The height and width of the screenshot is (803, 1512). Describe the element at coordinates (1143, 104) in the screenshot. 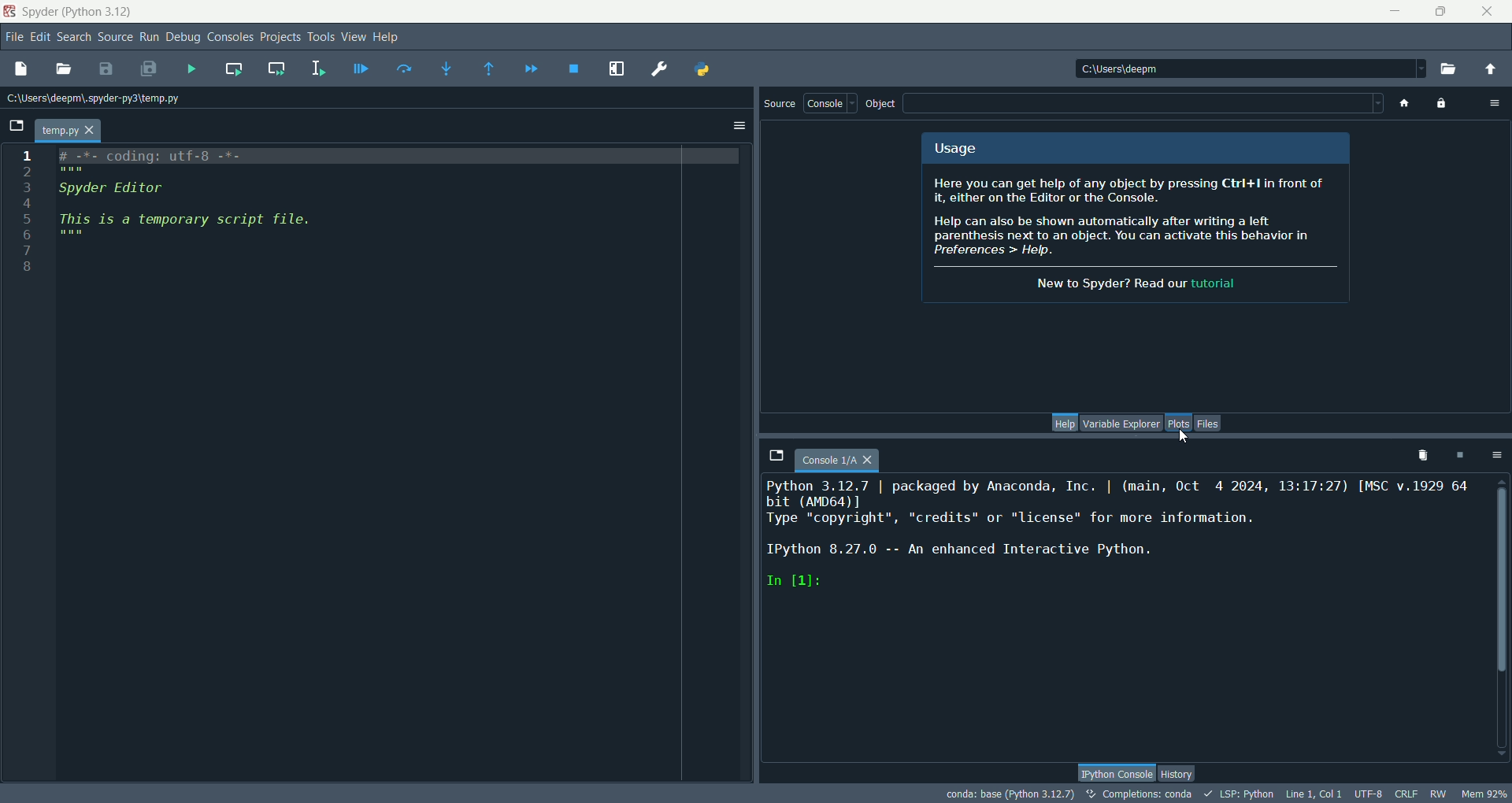

I see `text box` at that location.